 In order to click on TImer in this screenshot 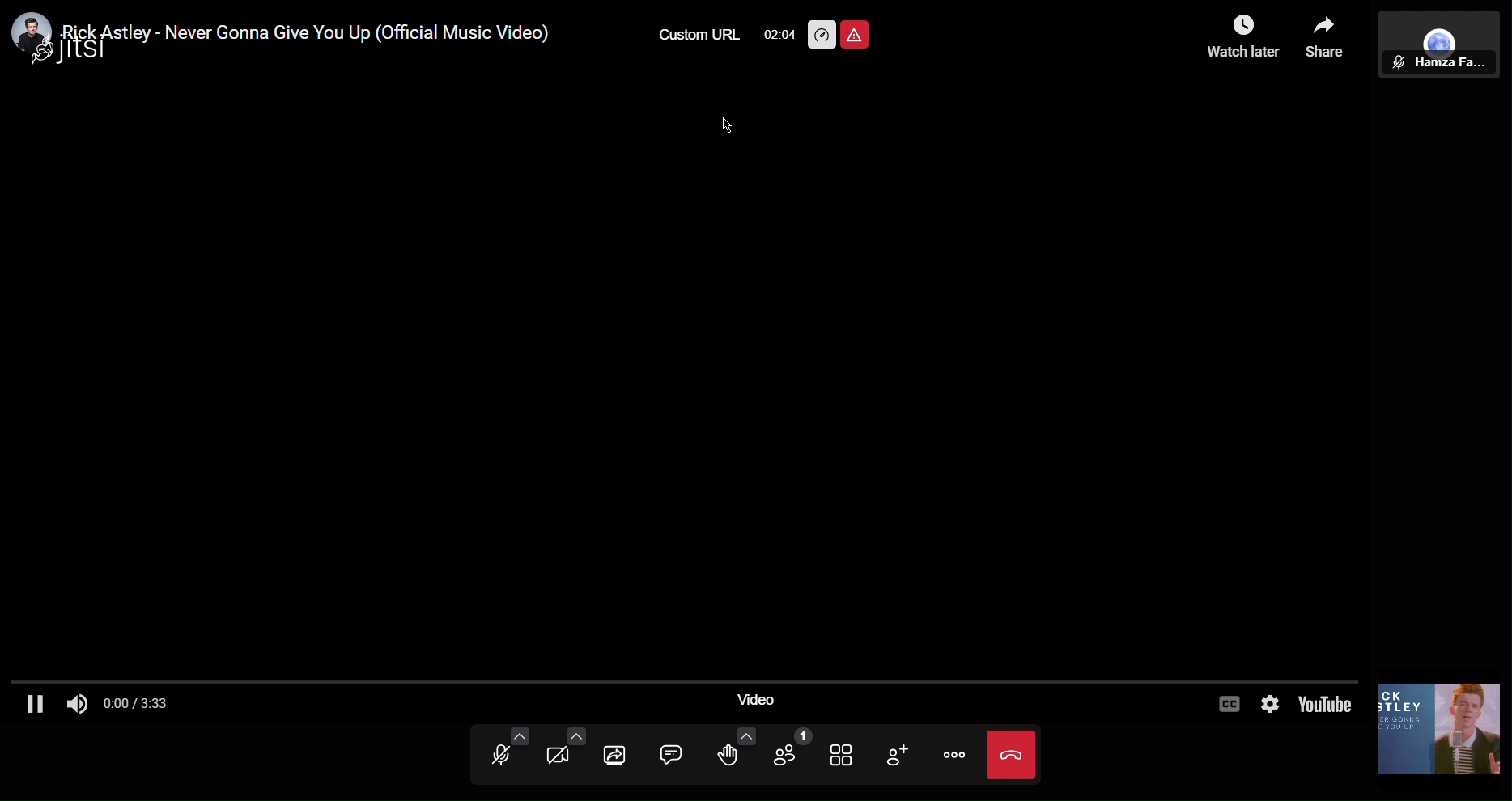, I will do `click(777, 34)`.